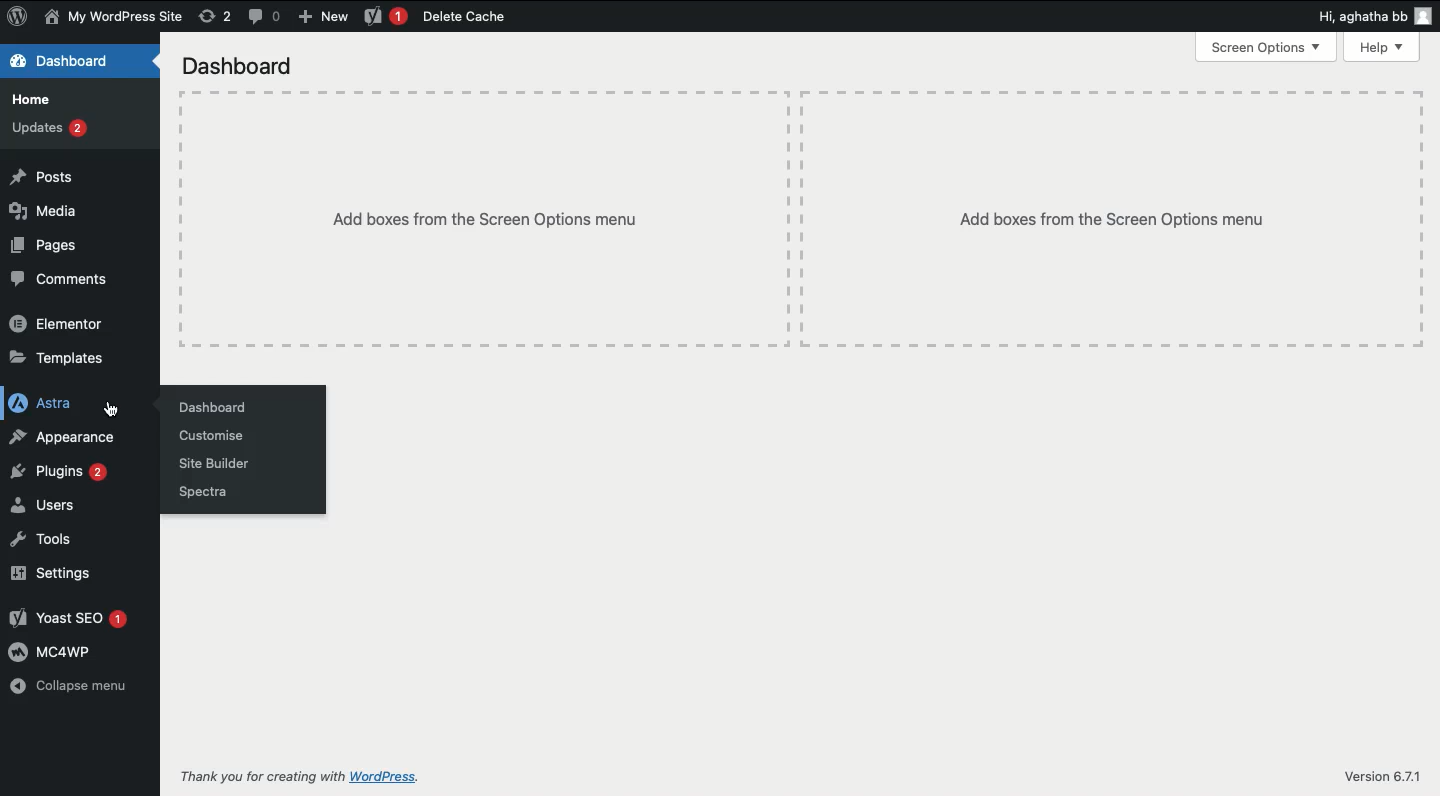  I want to click on Posts, so click(42, 175).